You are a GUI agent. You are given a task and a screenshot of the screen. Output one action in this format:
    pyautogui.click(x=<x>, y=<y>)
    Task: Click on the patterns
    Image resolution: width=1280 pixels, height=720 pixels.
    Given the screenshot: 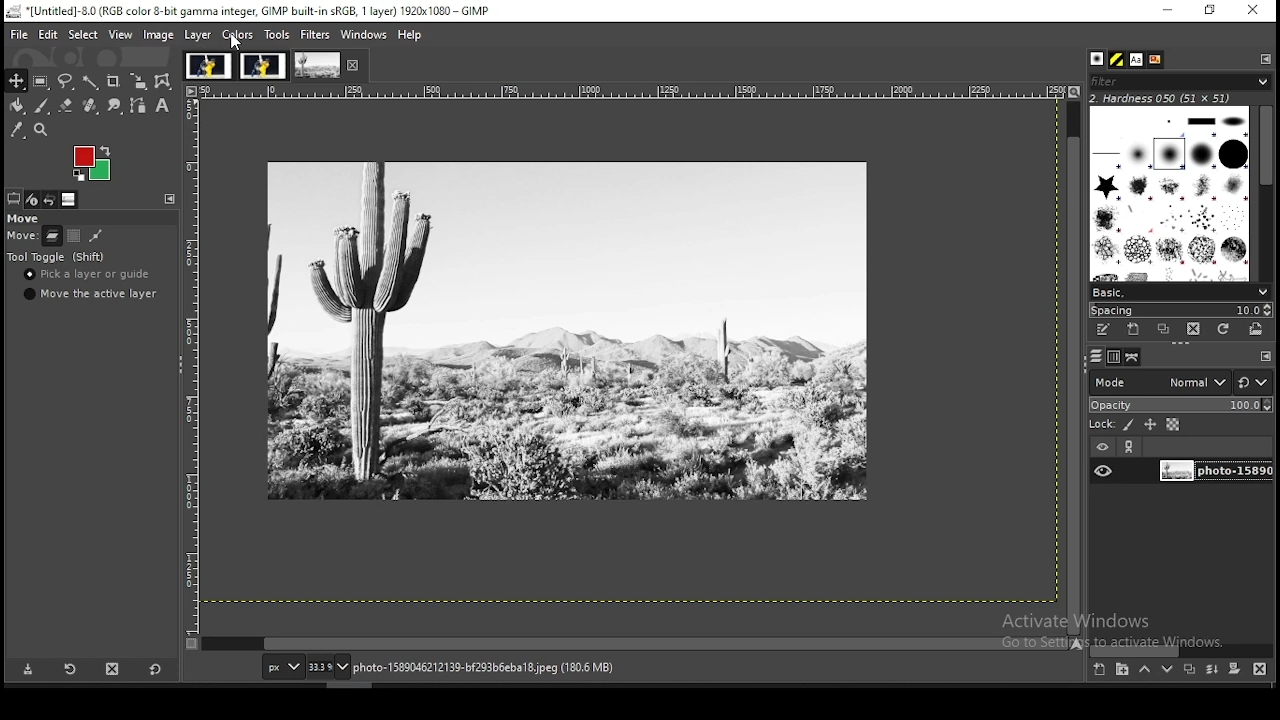 What is the action you would take?
    pyautogui.click(x=1118, y=59)
    